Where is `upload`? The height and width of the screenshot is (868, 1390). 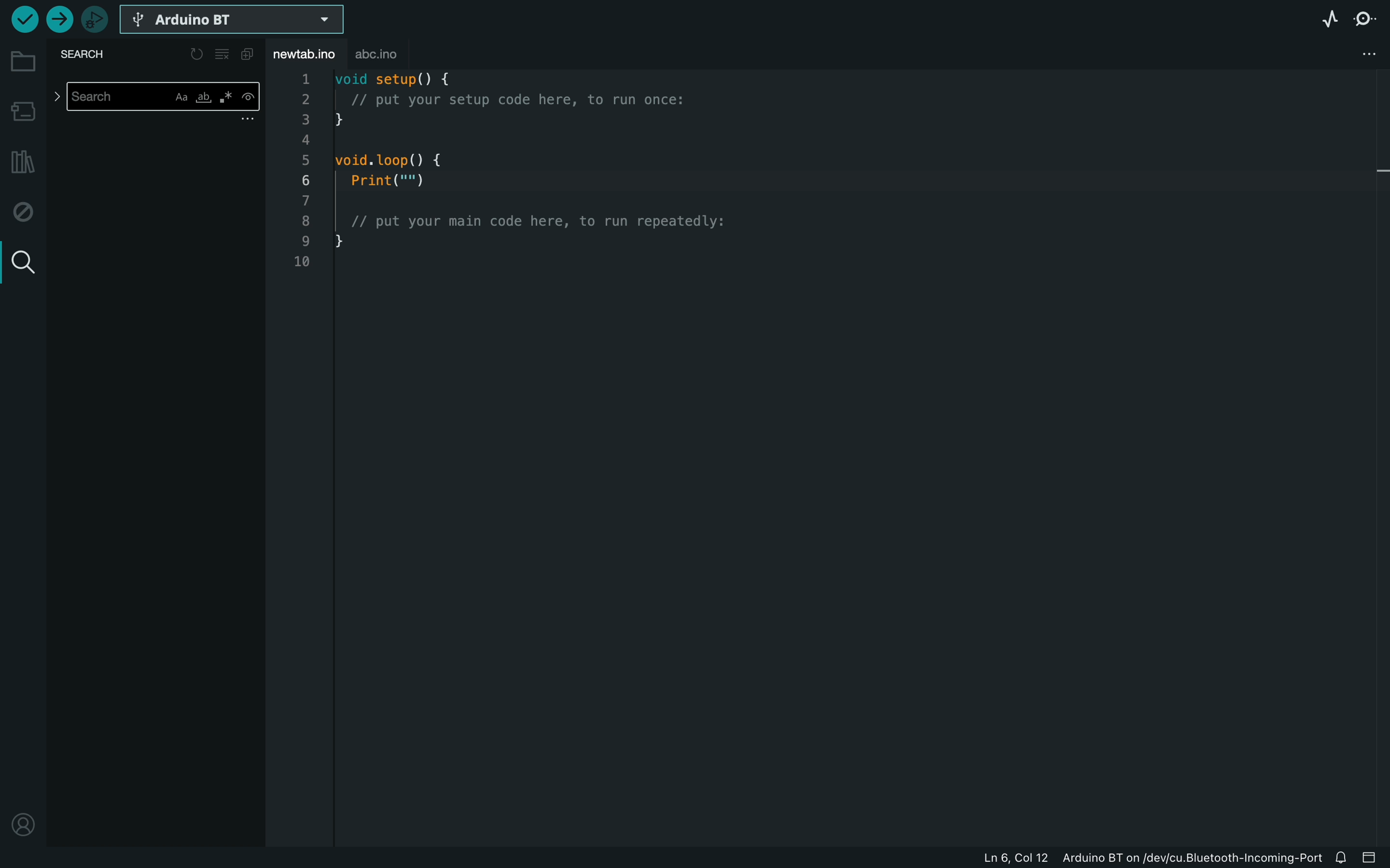
upload is located at coordinates (61, 19).